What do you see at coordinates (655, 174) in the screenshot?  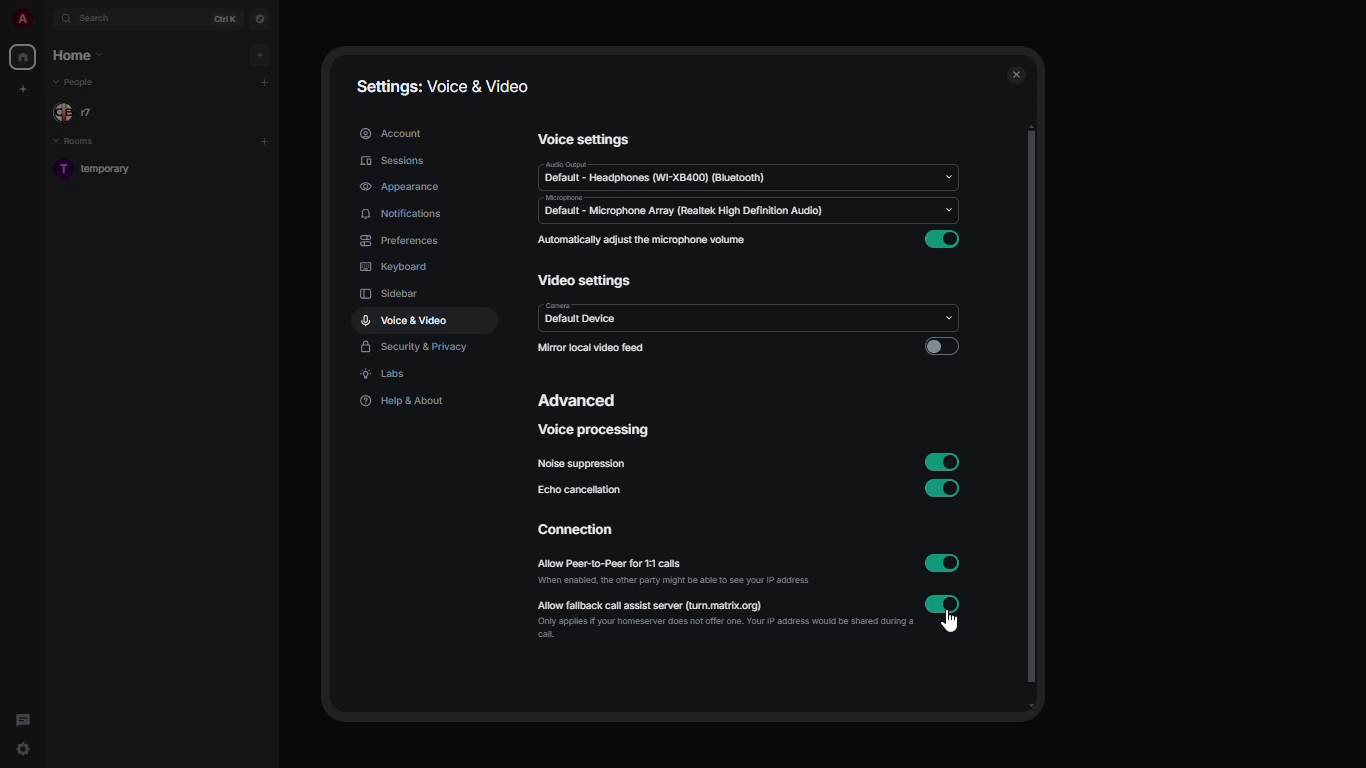 I see `audio default` at bounding box center [655, 174].